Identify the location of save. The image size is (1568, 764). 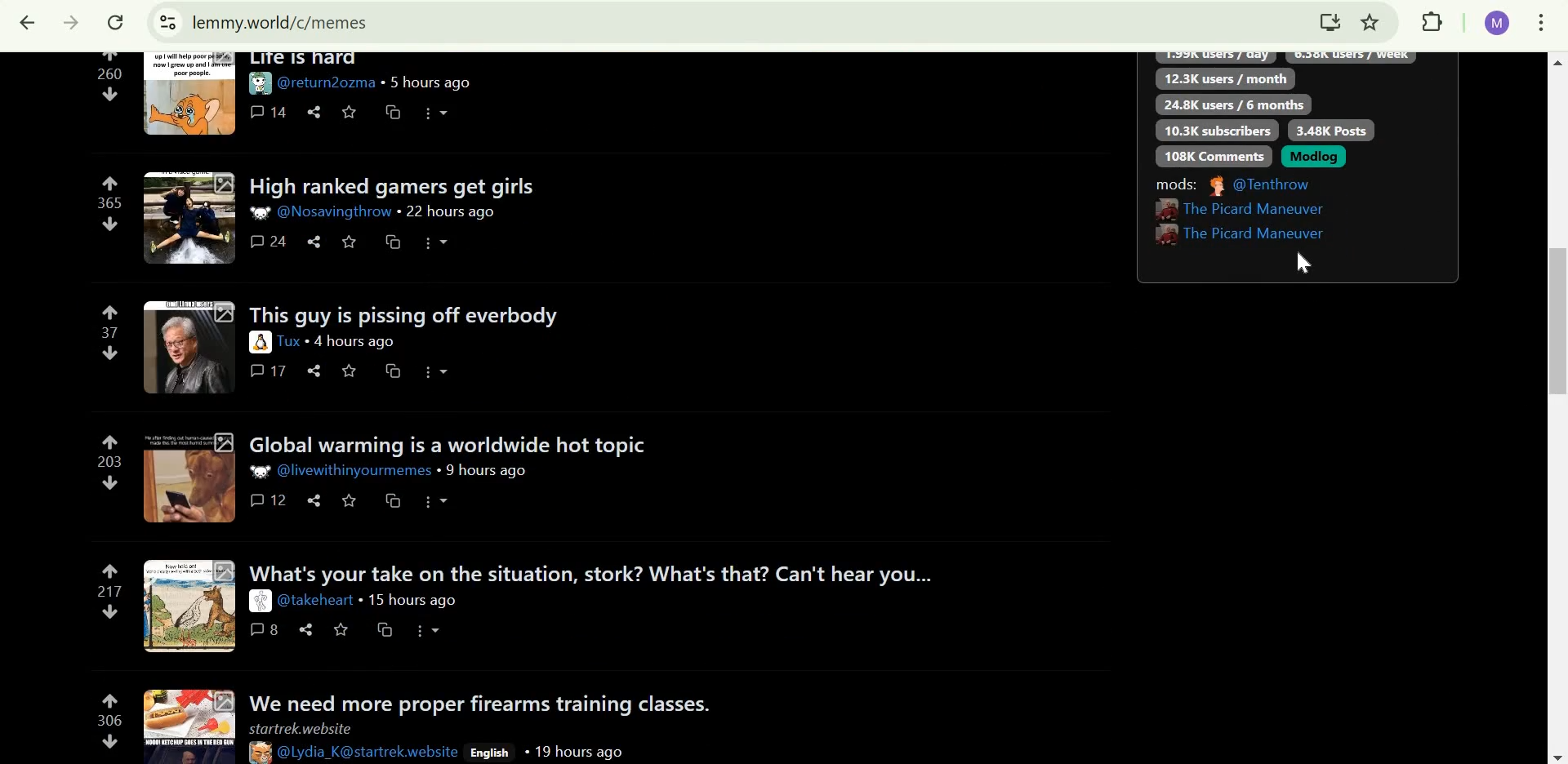
(349, 371).